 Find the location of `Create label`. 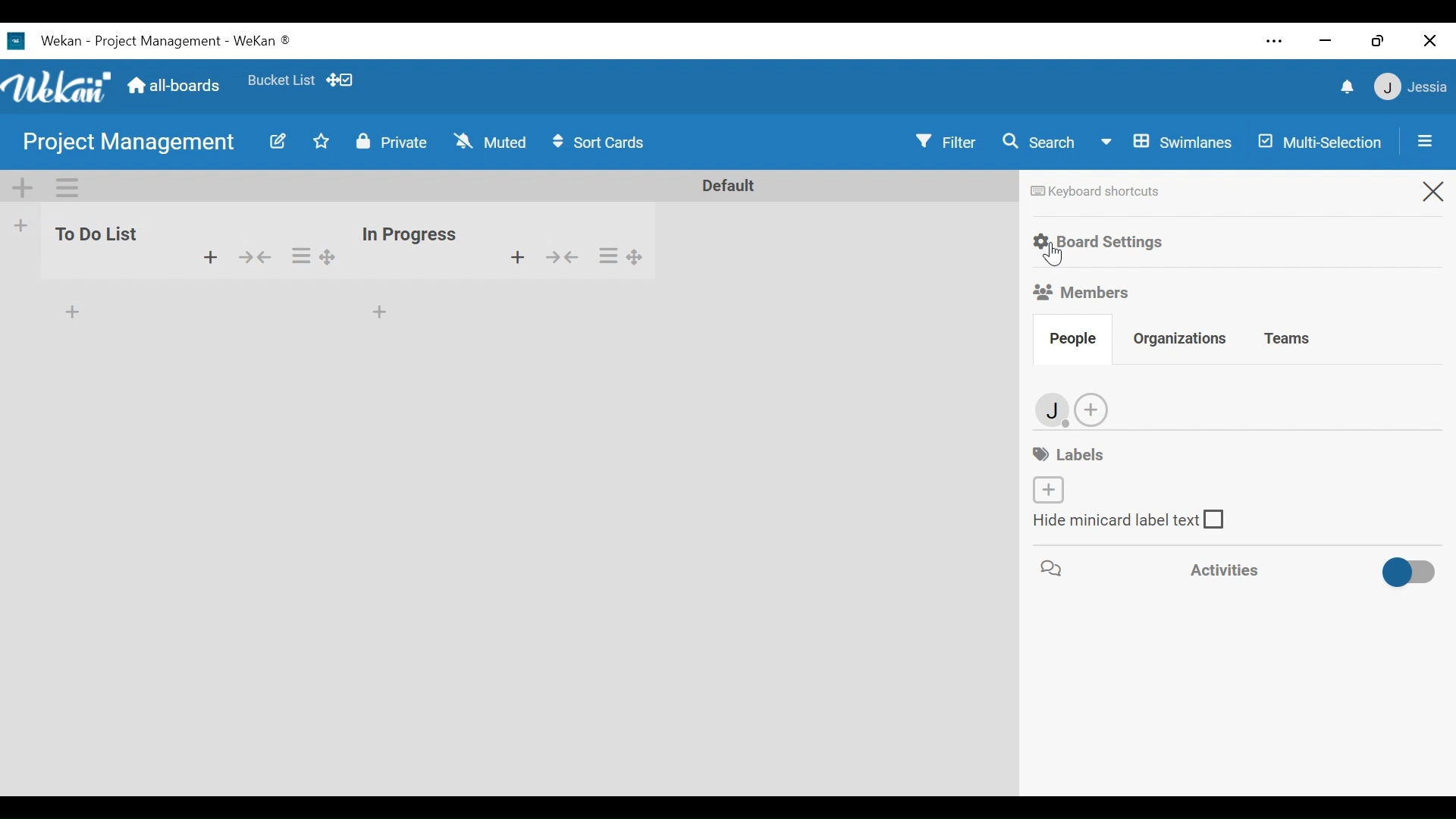

Create label is located at coordinates (1047, 489).